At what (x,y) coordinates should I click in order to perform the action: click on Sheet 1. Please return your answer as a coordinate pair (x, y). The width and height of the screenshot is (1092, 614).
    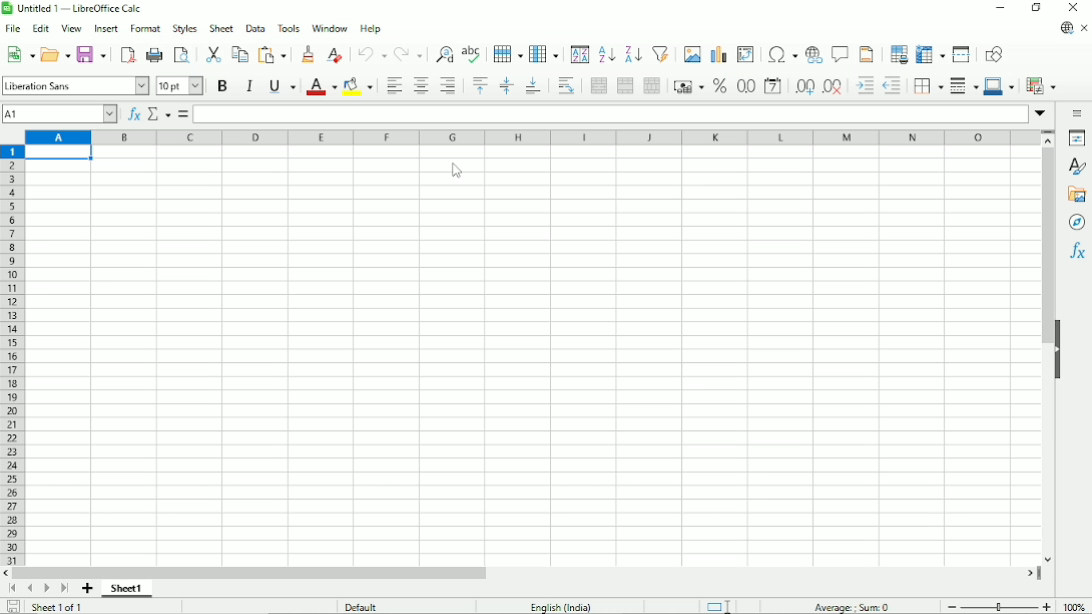
    Looking at the image, I should click on (129, 589).